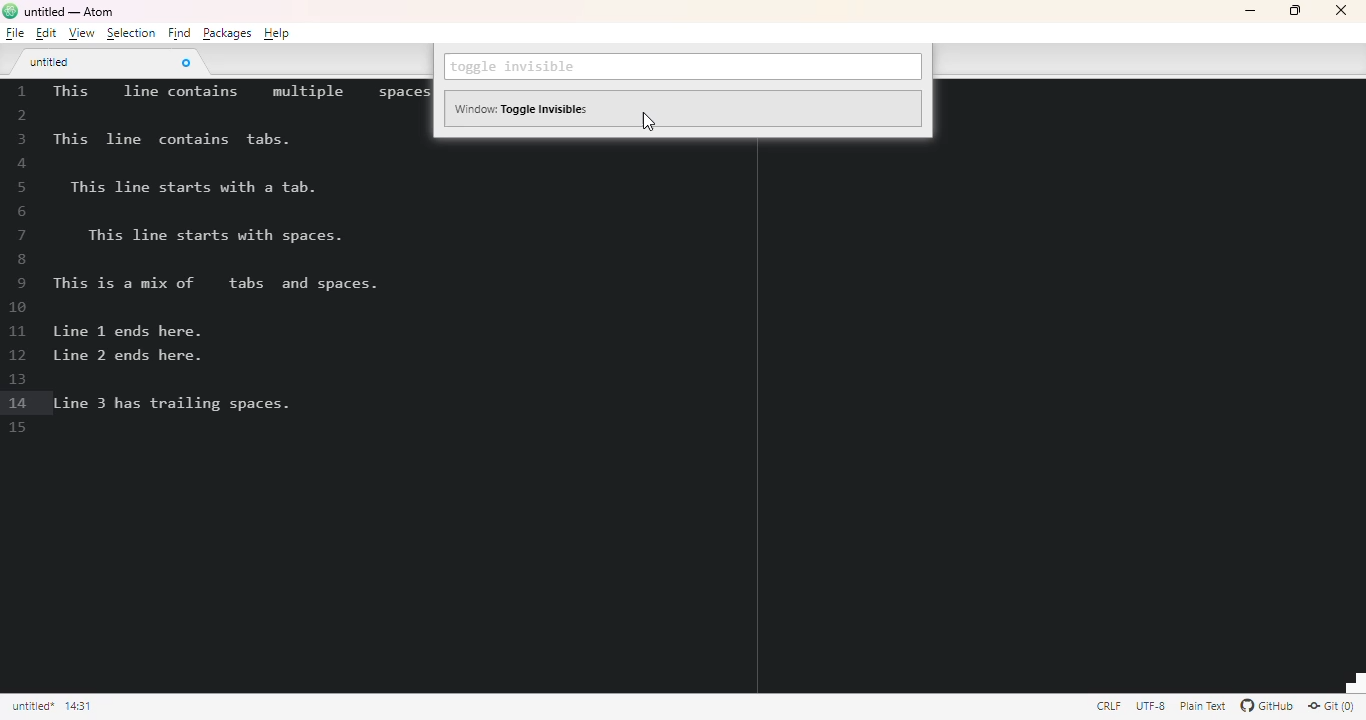 This screenshot has height=720, width=1366. I want to click on minimize, so click(1250, 11).